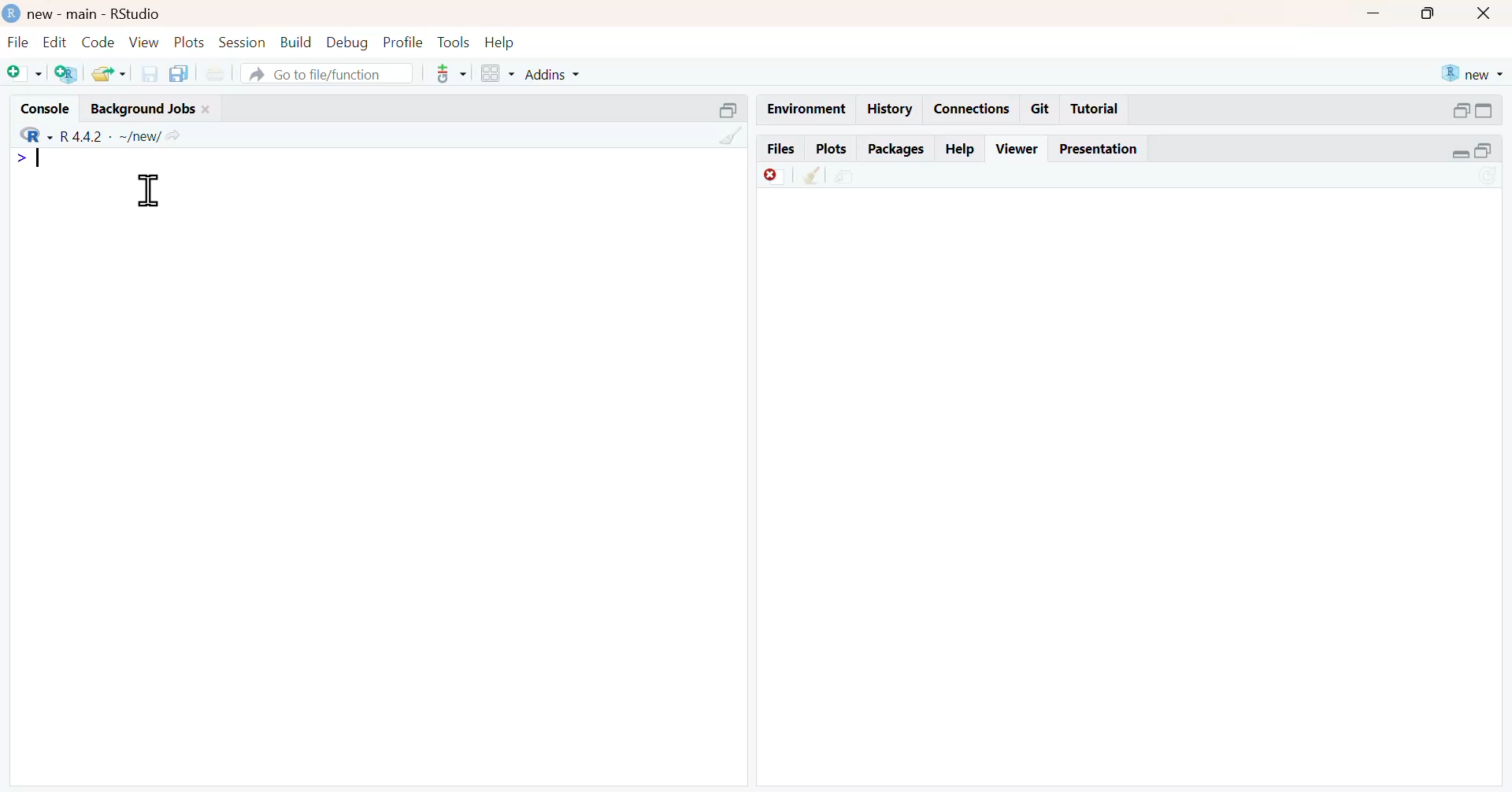  I want to click on help, so click(503, 41).